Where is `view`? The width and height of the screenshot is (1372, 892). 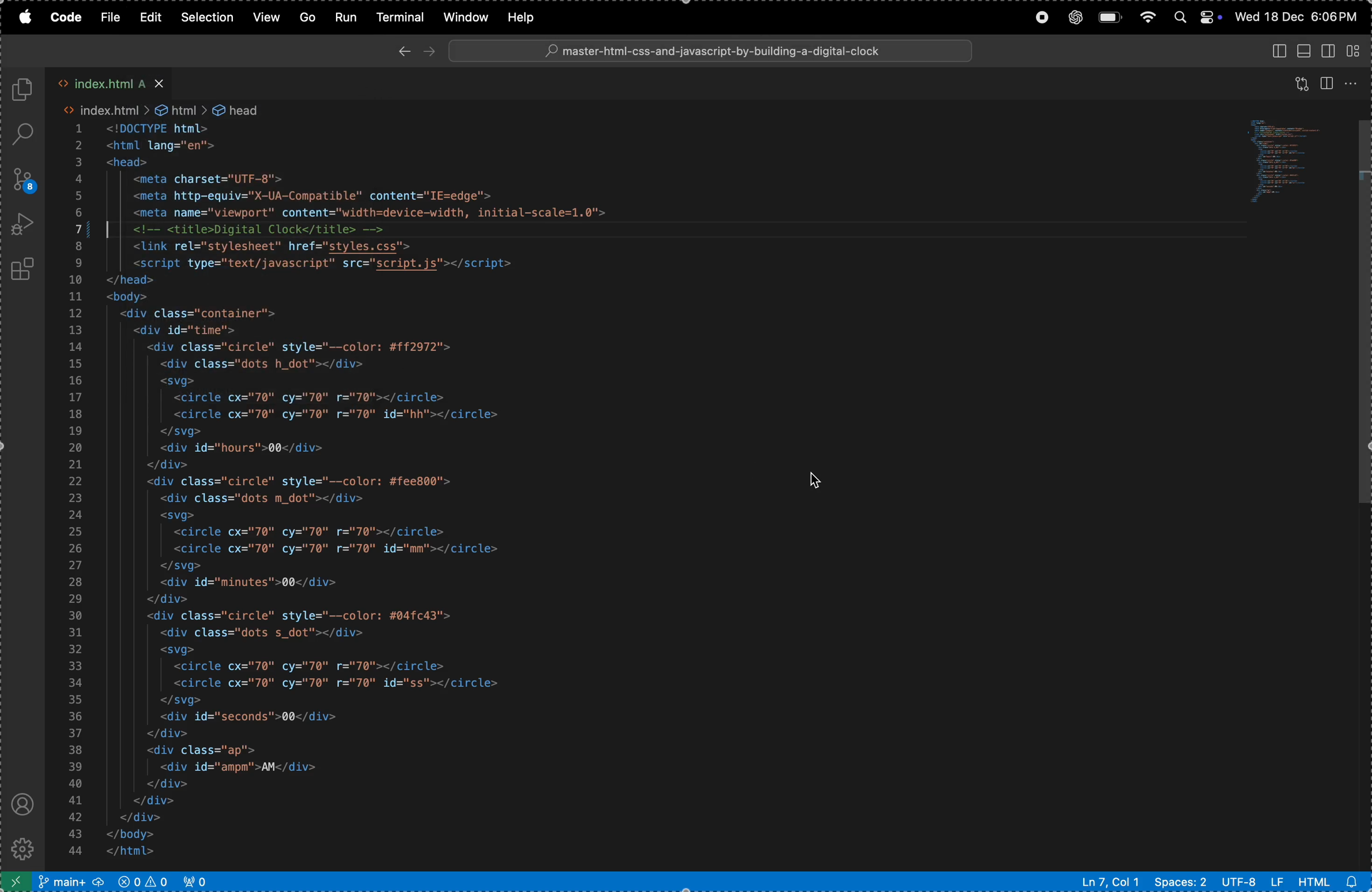
view is located at coordinates (1302, 80).